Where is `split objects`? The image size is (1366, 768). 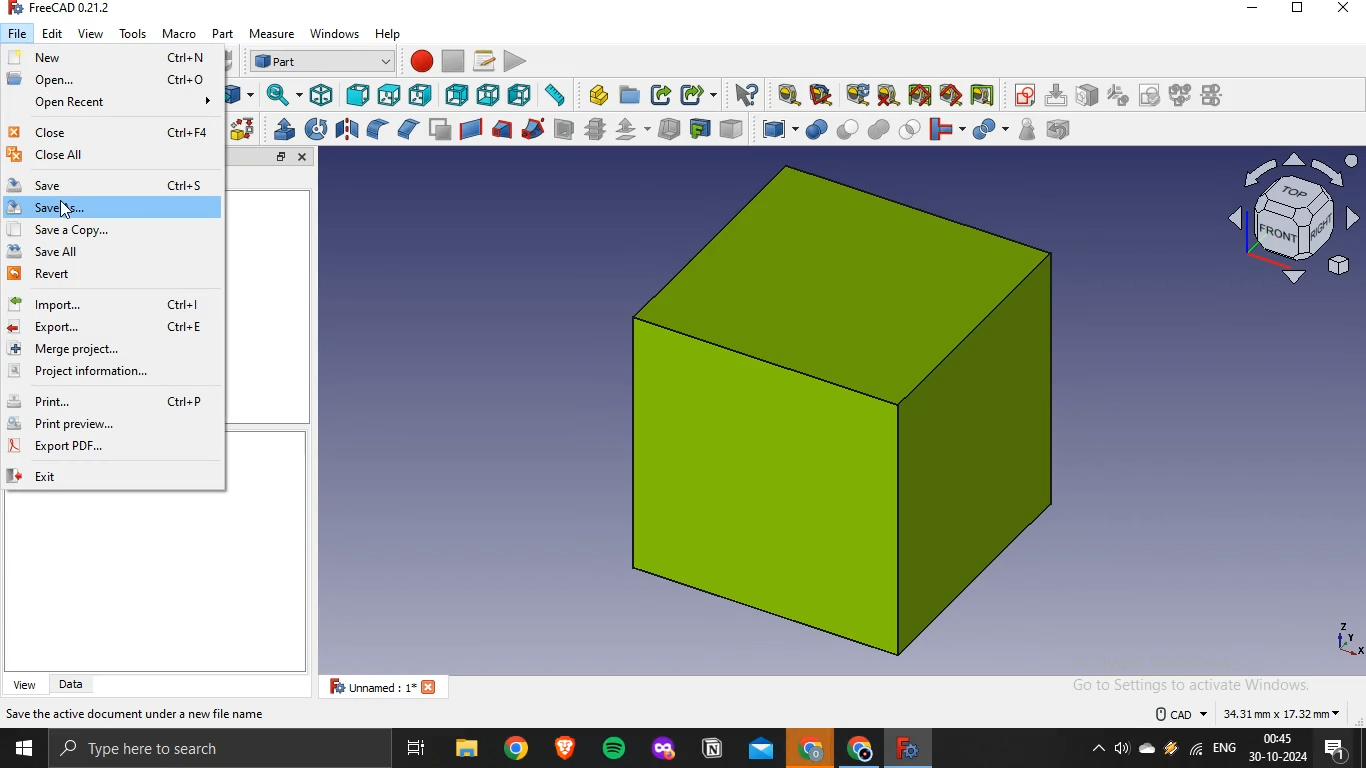 split objects is located at coordinates (989, 128).